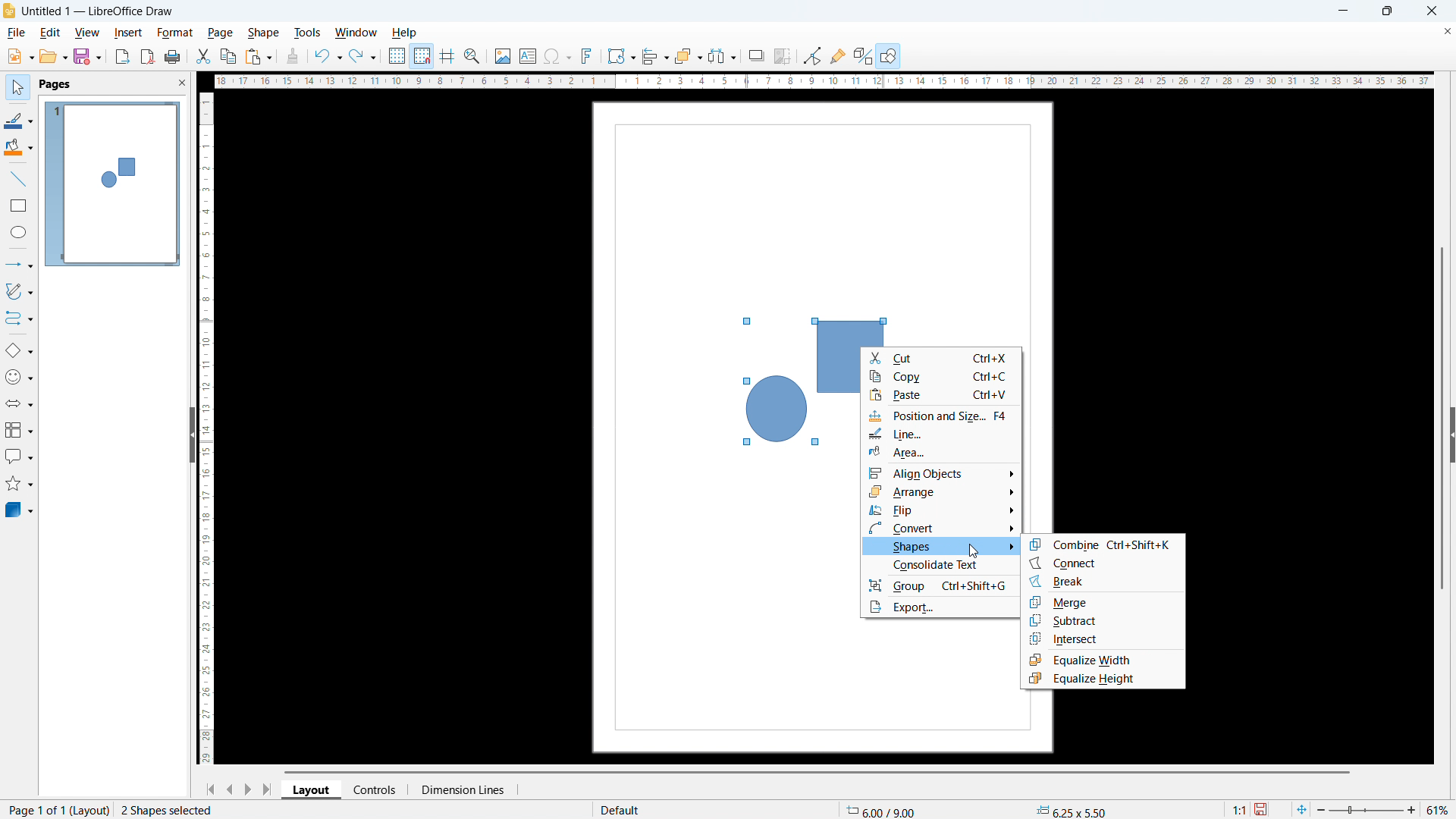  Describe the element at coordinates (448, 55) in the screenshot. I see `guidelines while moving` at that location.